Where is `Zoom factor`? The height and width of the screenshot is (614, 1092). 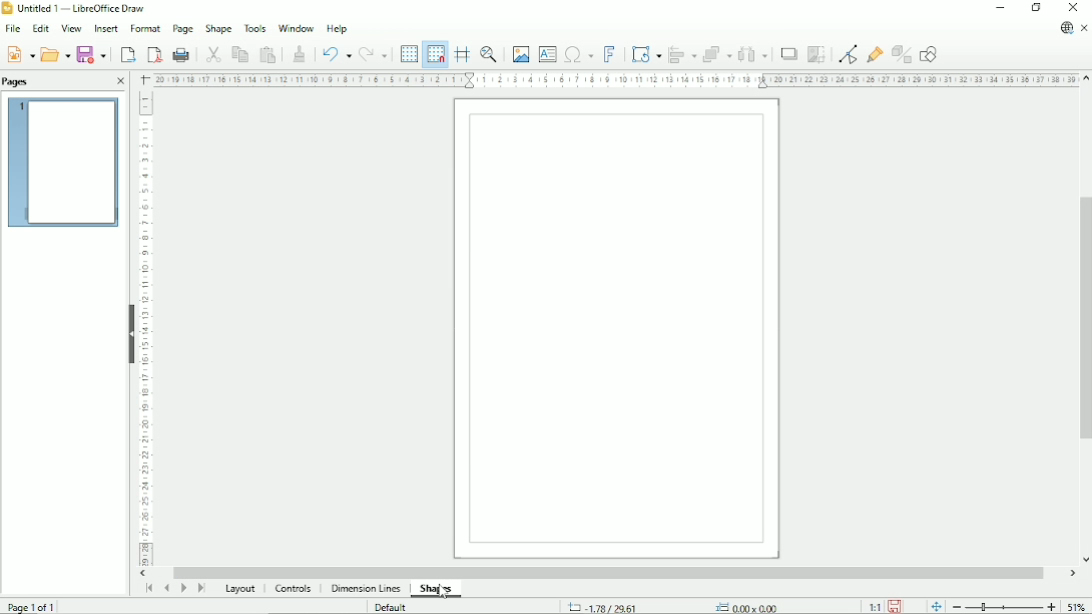 Zoom factor is located at coordinates (1077, 607).